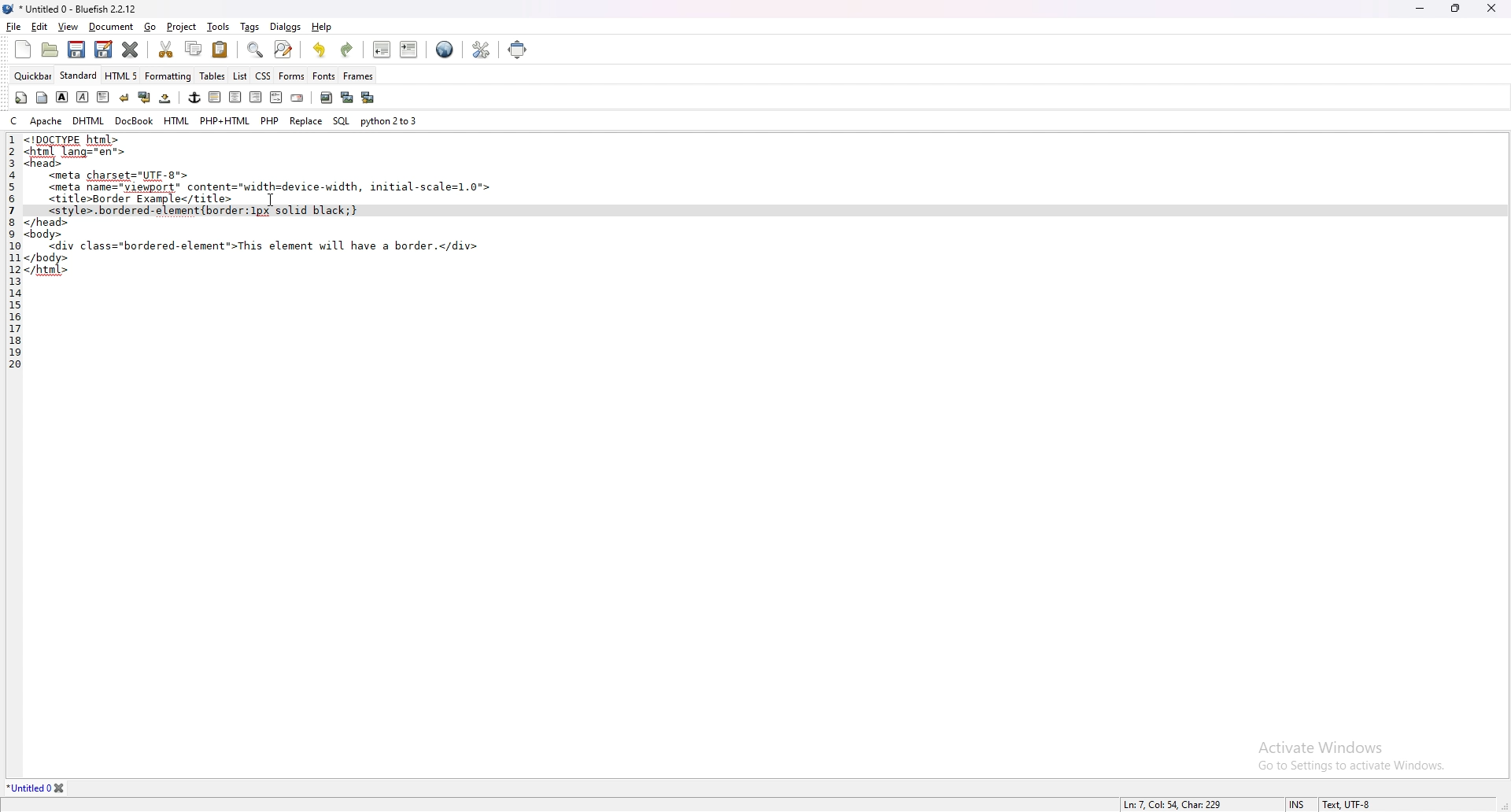 This screenshot has width=1511, height=812. Describe the element at coordinates (183, 28) in the screenshot. I see `project` at that location.